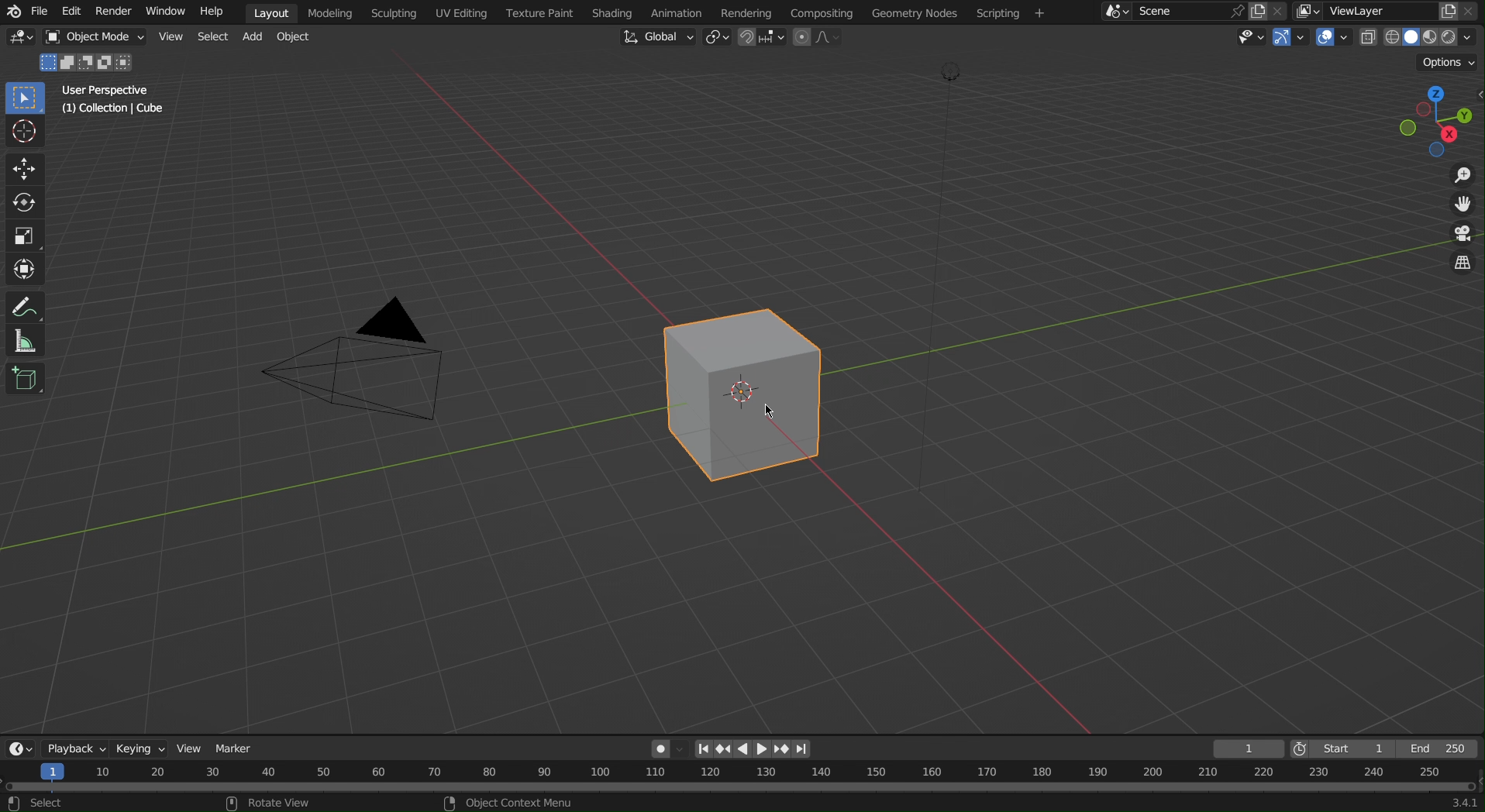 This screenshot has width=1485, height=812. I want to click on Toggle Camera View, so click(1460, 235).